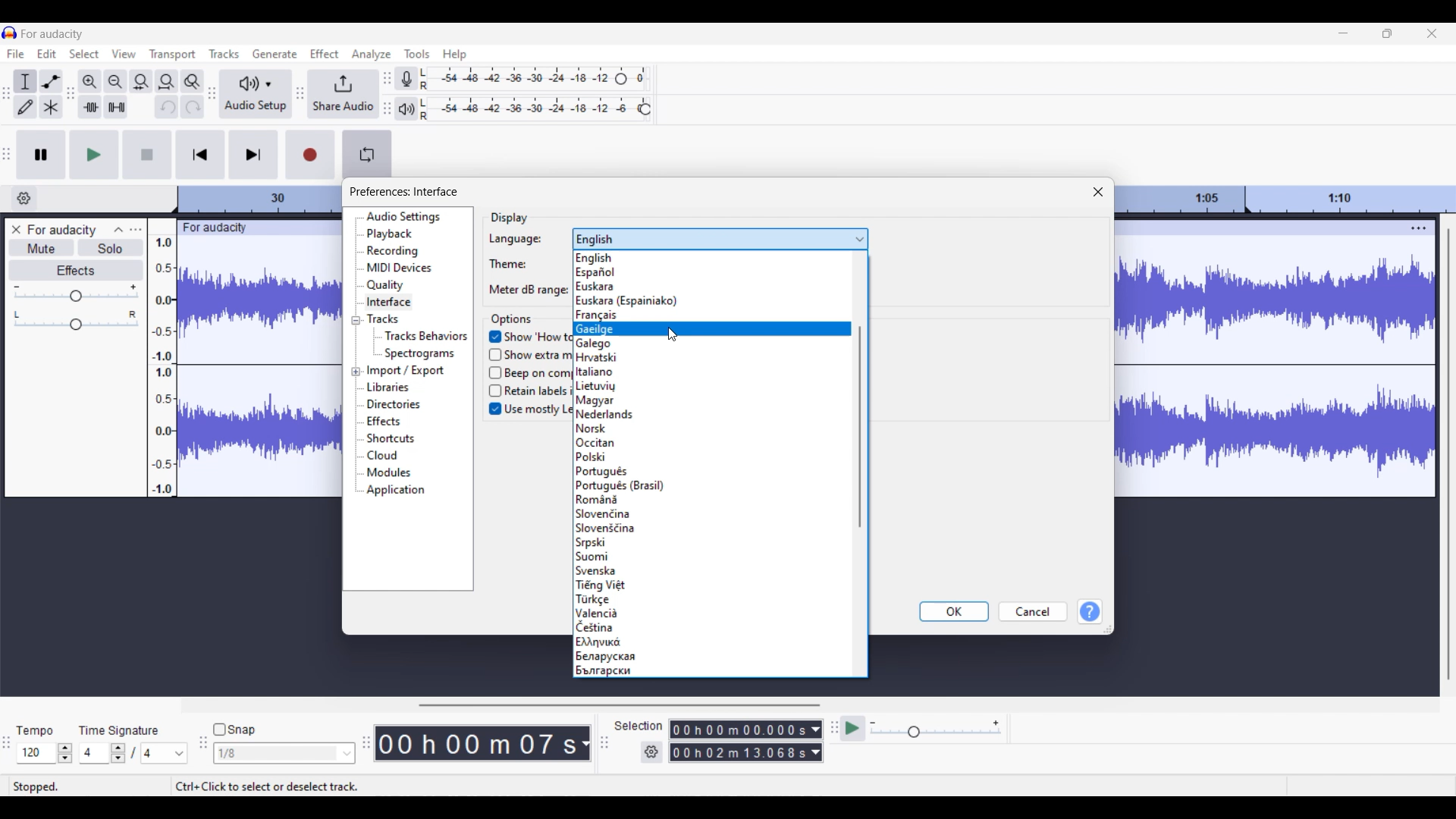  I want to click on Volume scale, so click(76, 293).